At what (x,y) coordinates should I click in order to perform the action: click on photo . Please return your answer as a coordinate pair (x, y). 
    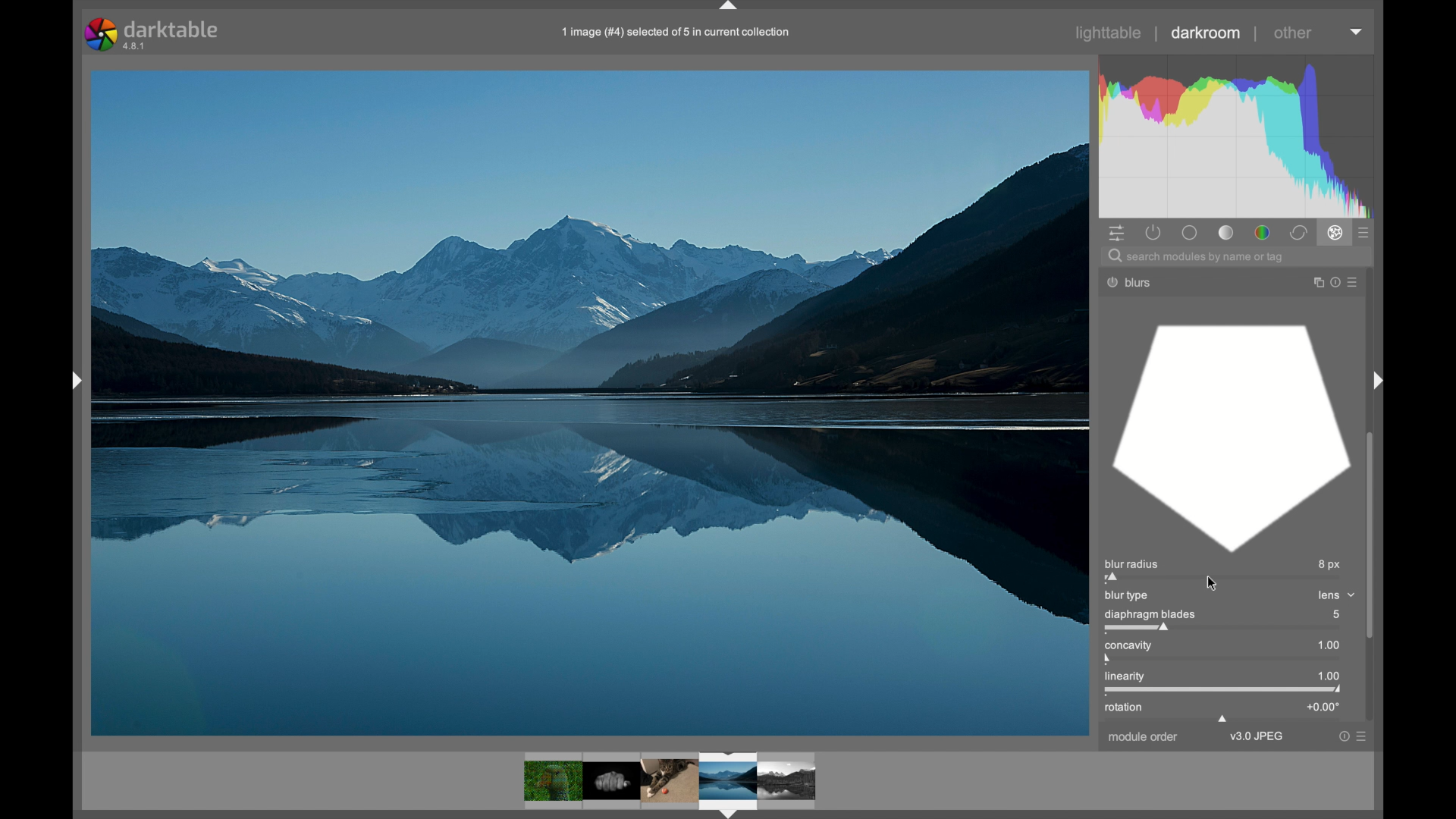
    Looking at the image, I should click on (590, 401).